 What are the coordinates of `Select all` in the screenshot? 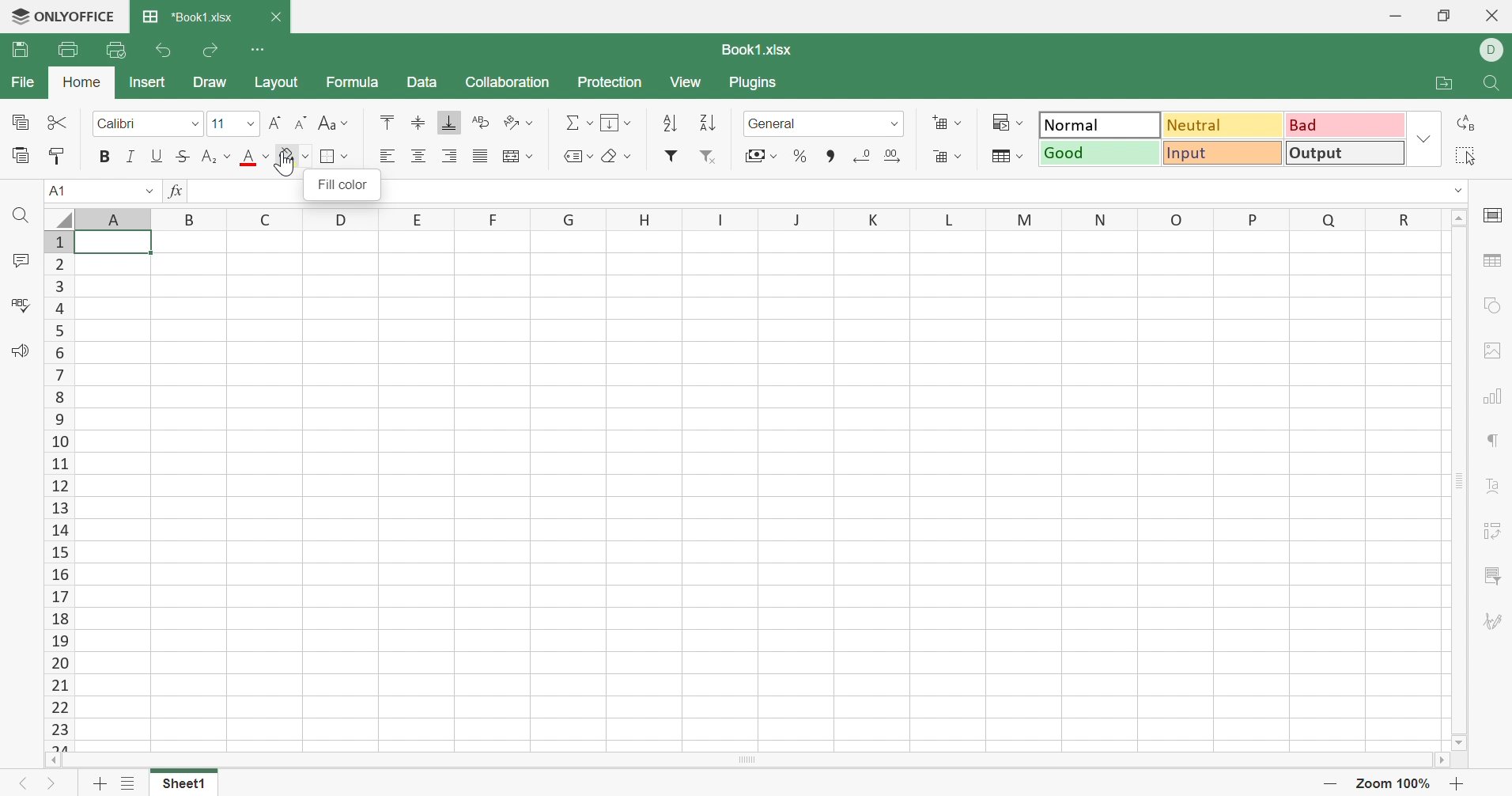 It's located at (1465, 156).